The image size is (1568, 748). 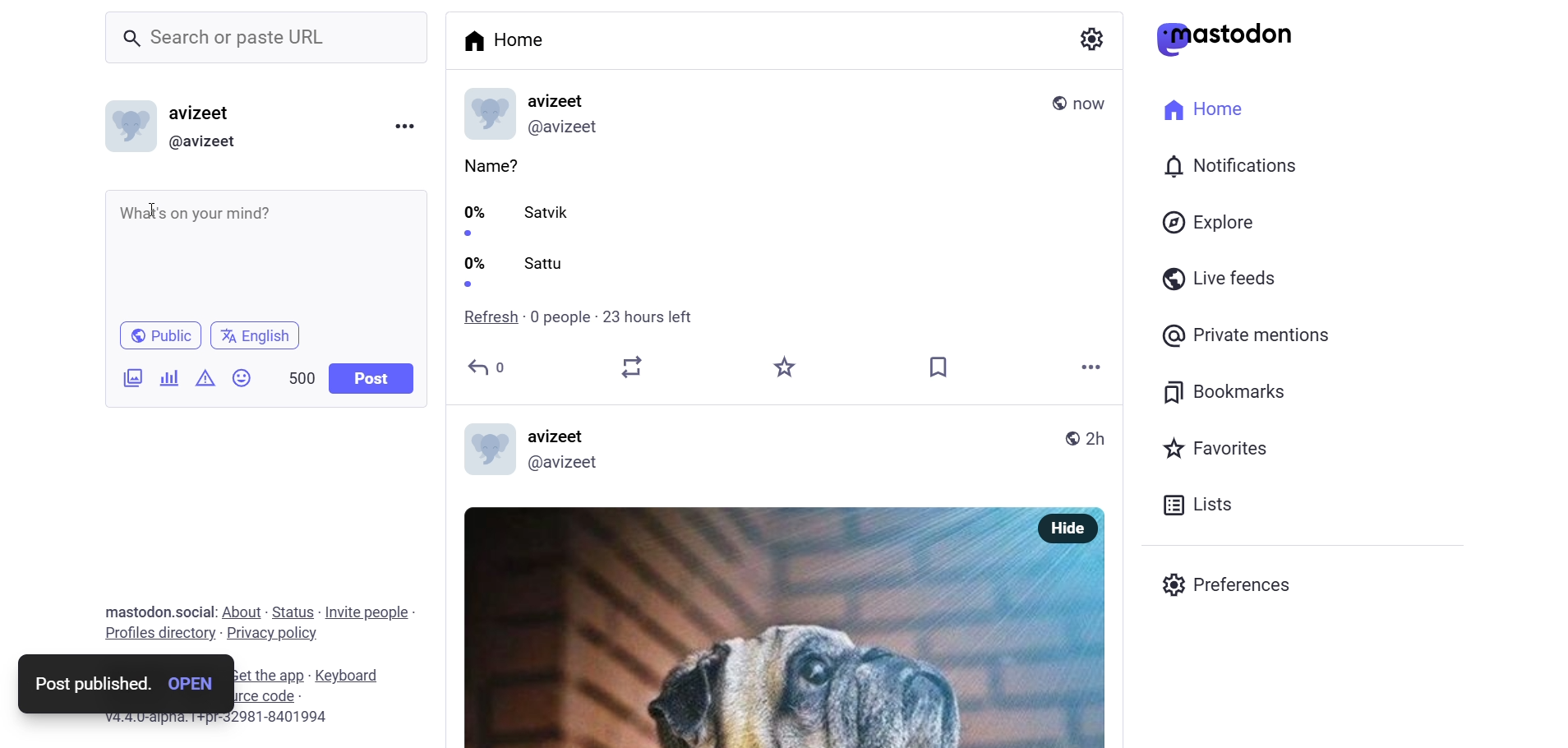 What do you see at coordinates (938, 367) in the screenshot?
I see `bookmark` at bounding box center [938, 367].